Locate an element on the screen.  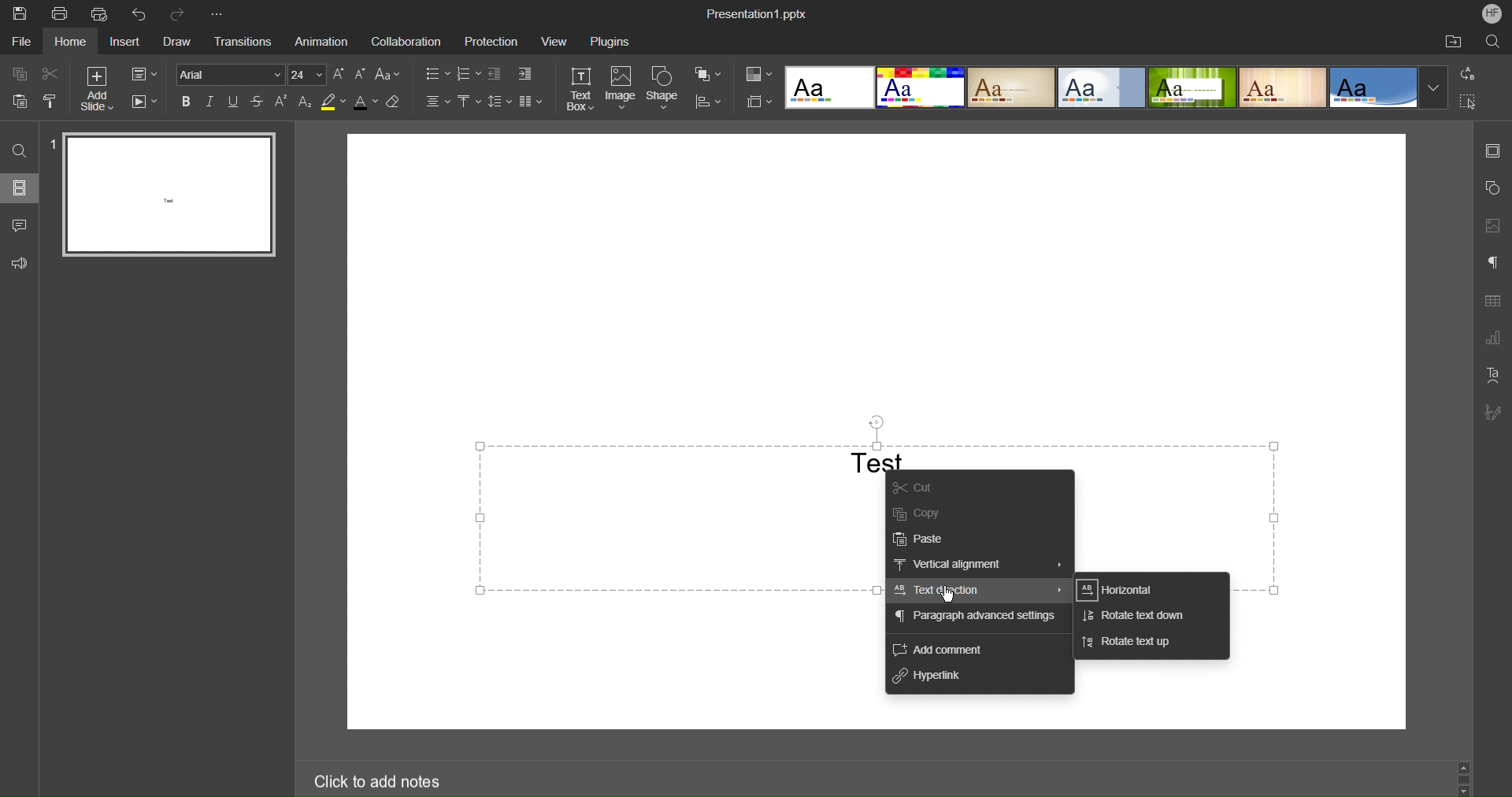
Open Folder is located at coordinates (1455, 43).